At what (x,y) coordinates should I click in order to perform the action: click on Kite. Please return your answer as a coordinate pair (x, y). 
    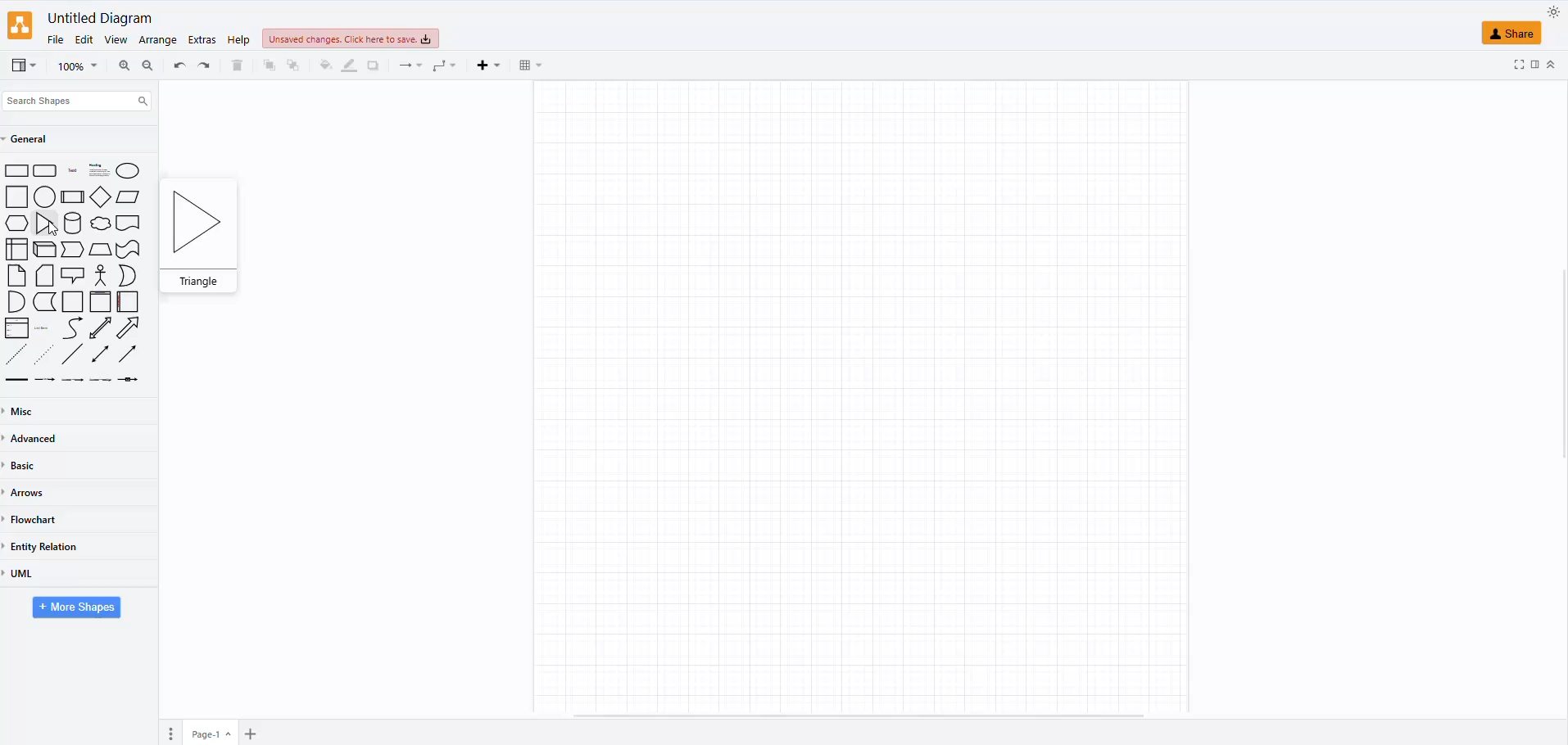
    Looking at the image, I should click on (102, 196).